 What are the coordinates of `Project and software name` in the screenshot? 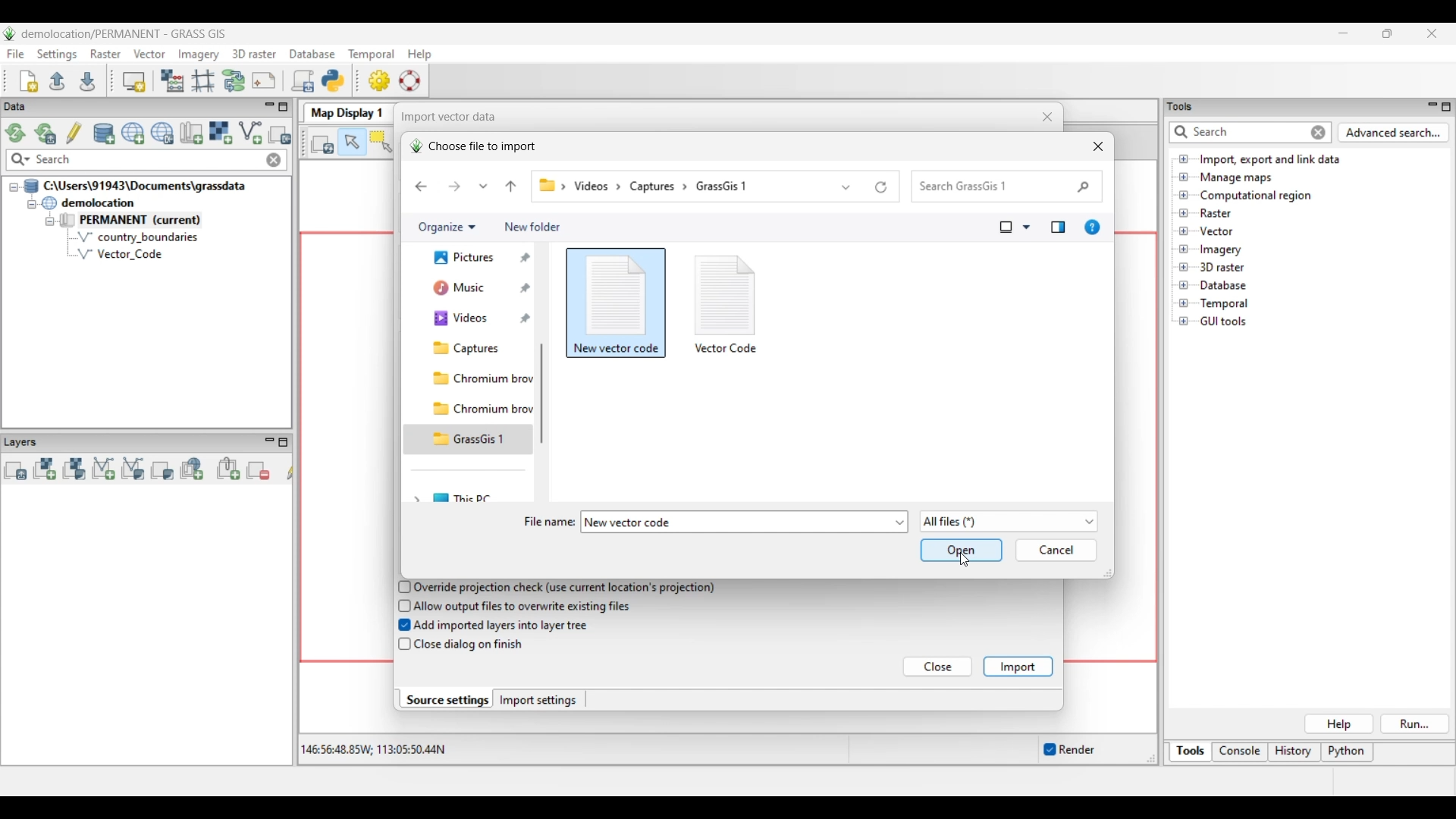 It's located at (124, 34).